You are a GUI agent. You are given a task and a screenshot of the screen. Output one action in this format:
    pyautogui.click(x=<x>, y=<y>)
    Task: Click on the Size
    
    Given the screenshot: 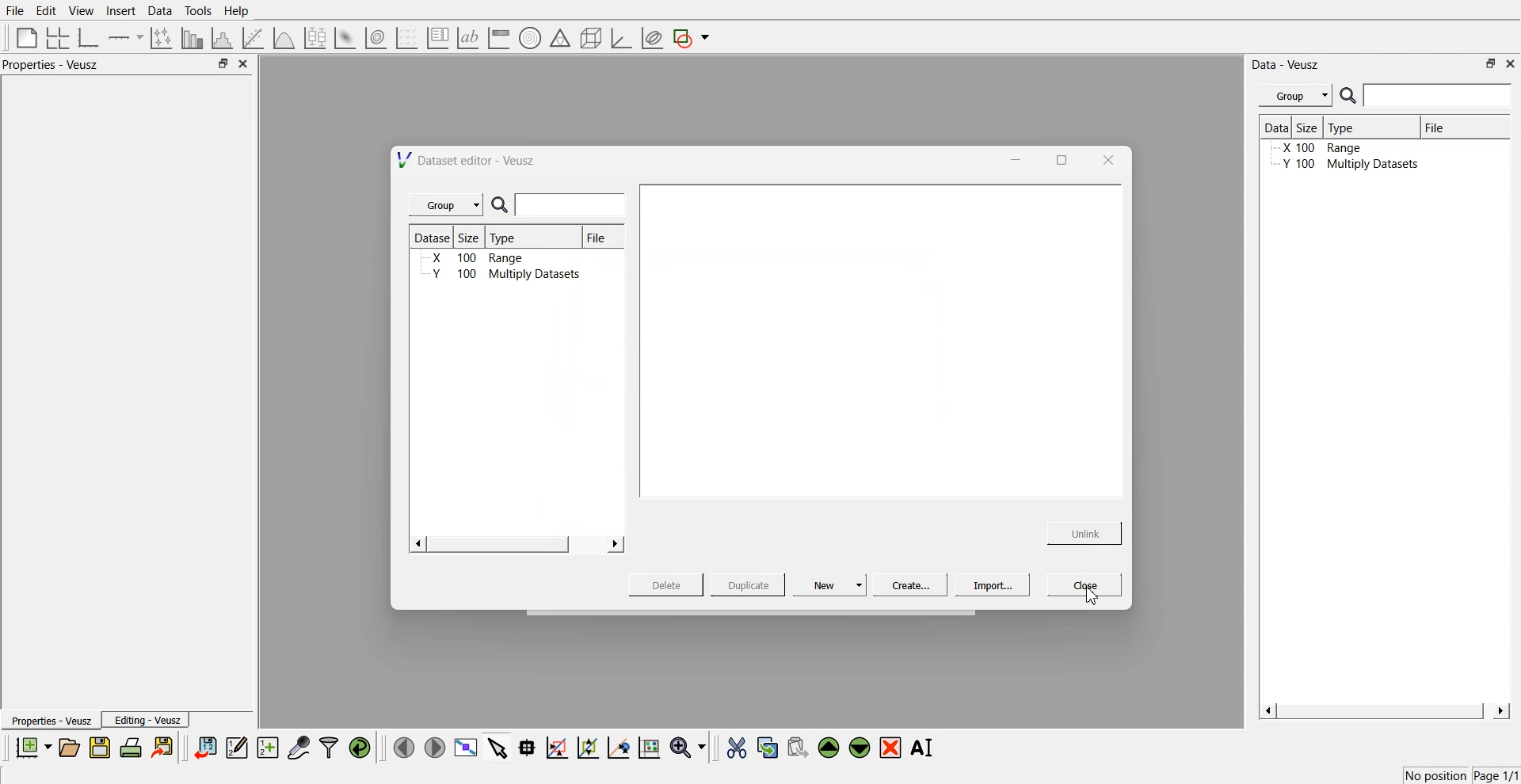 What is the action you would take?
    pyautogui.click(x=1310, y=128)
    